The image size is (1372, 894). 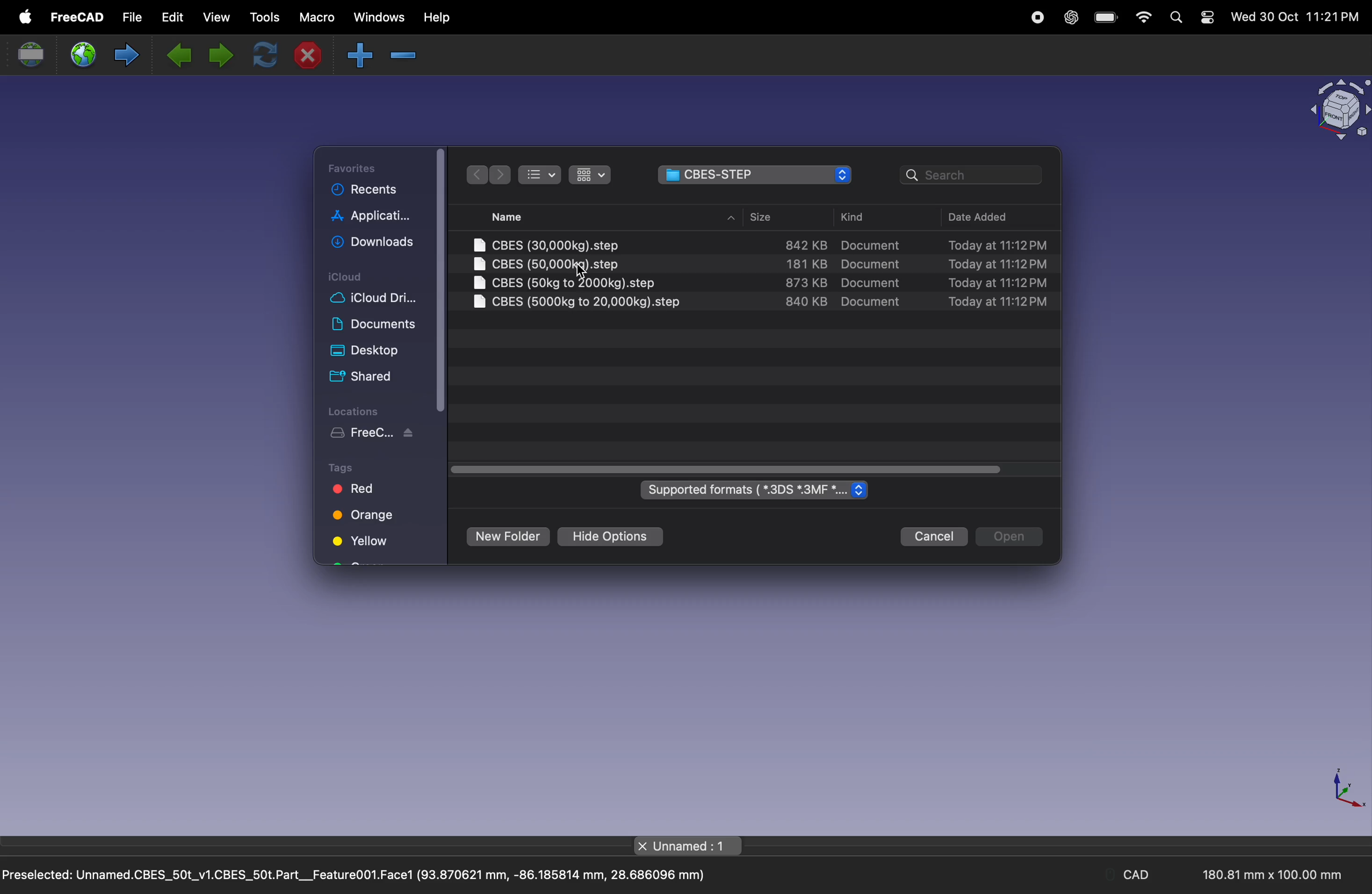 What do you see at coordinates (439, 280) in the screenshot?
I see `scroll bar` at bounding box center [439, 280].